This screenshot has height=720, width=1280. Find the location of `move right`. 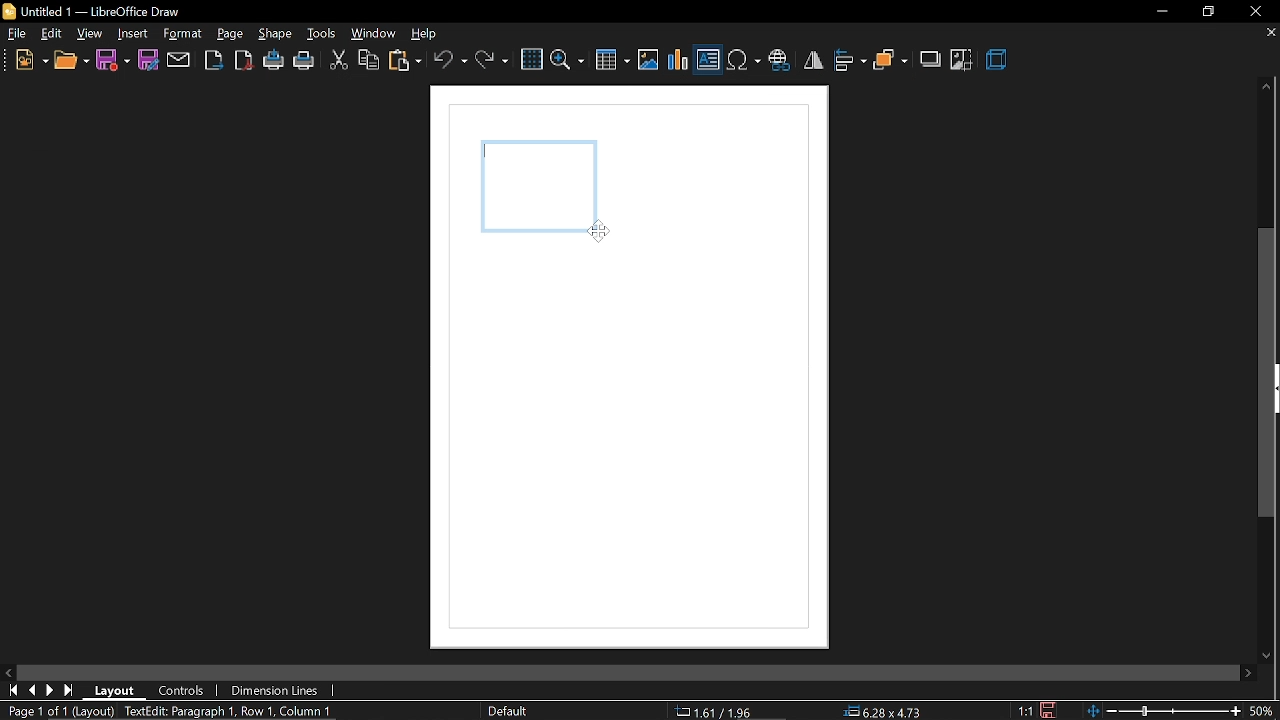

move right is located at coordinates (1248, 672).